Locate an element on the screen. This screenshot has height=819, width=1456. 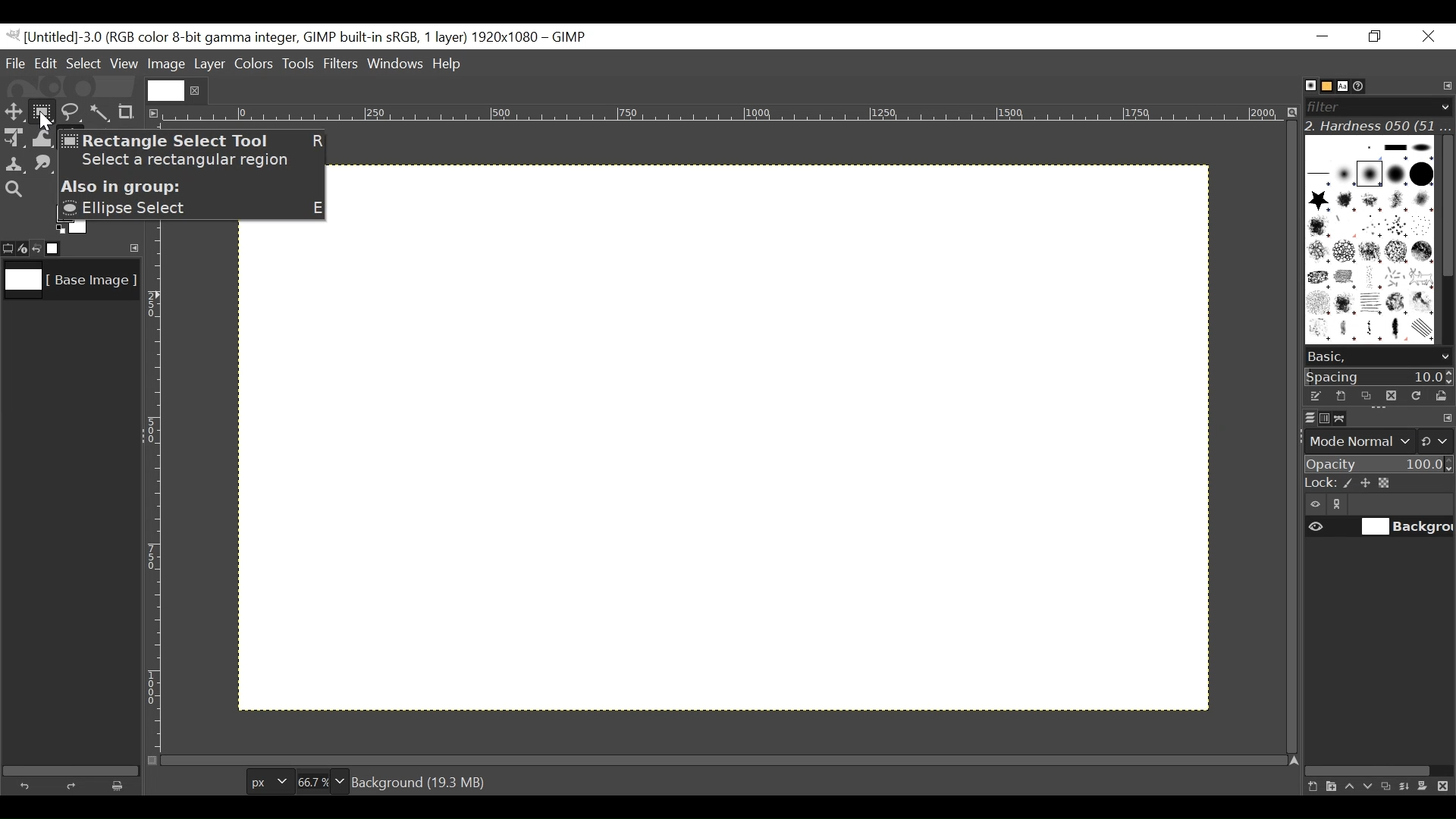
Document History is located at coordinates (1364, 85).